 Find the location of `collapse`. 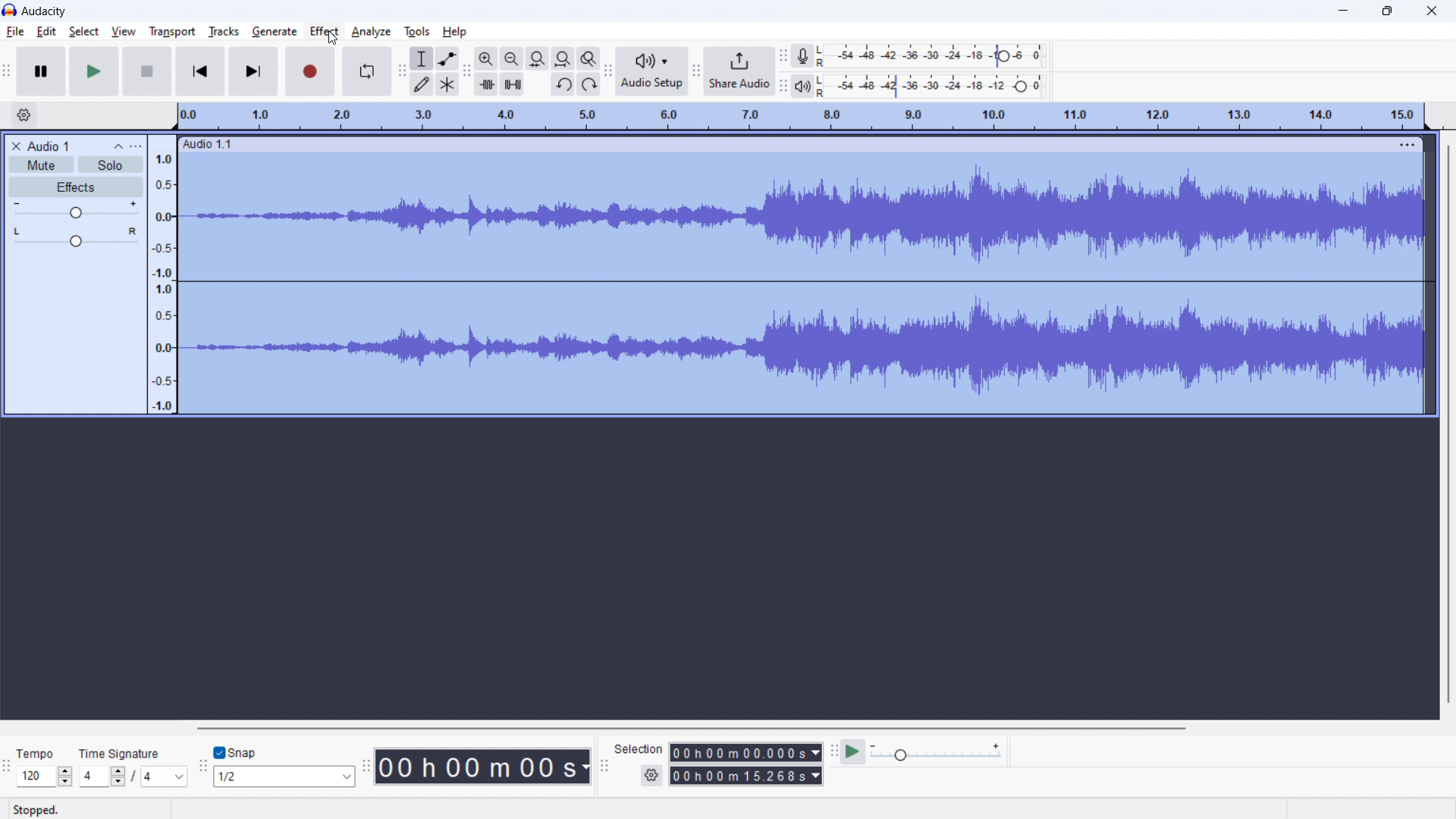

collapse is located at coordinates (116, 146).